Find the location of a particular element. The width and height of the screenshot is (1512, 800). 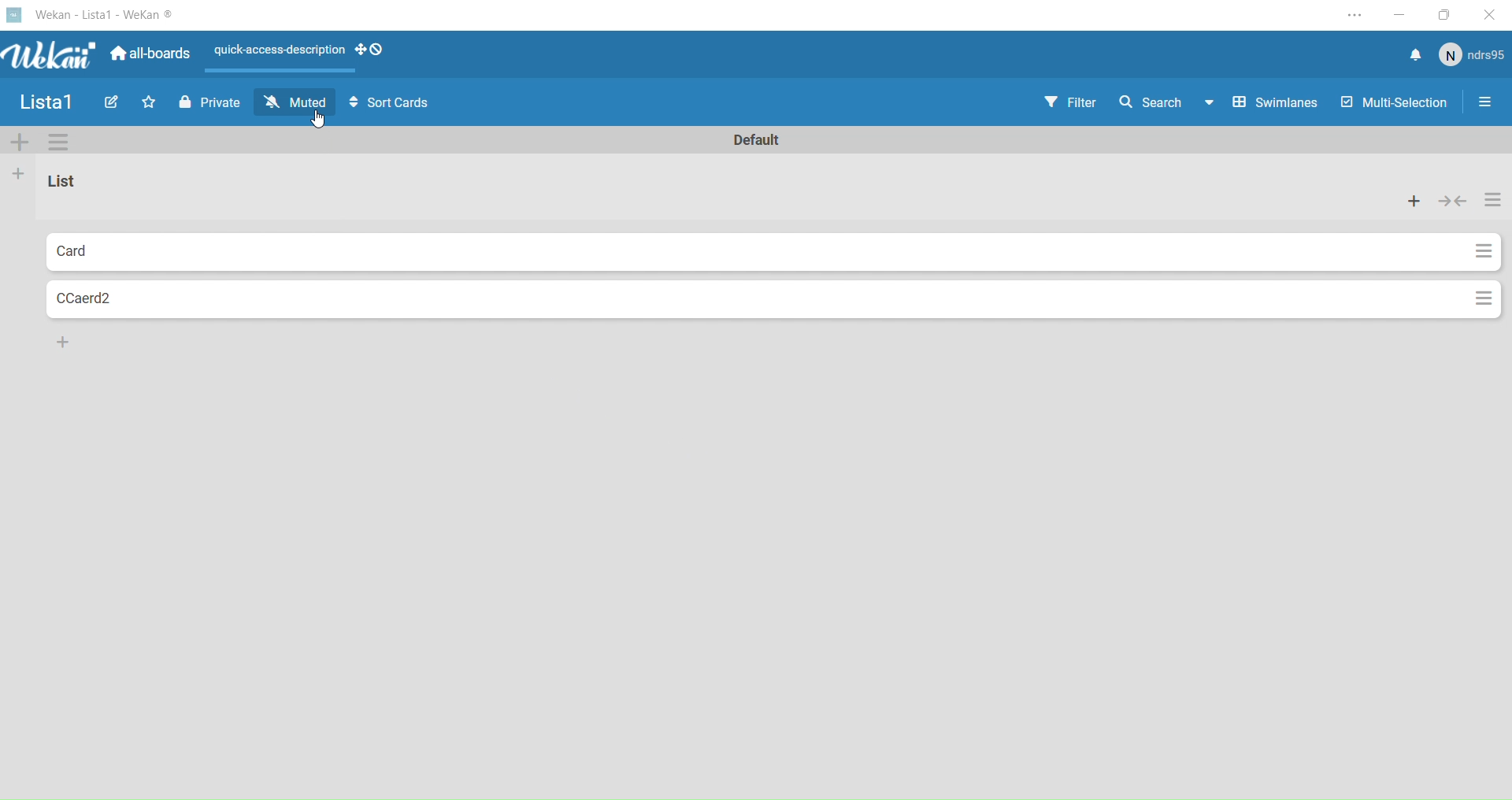

Name is located at coordinates (46, 102).